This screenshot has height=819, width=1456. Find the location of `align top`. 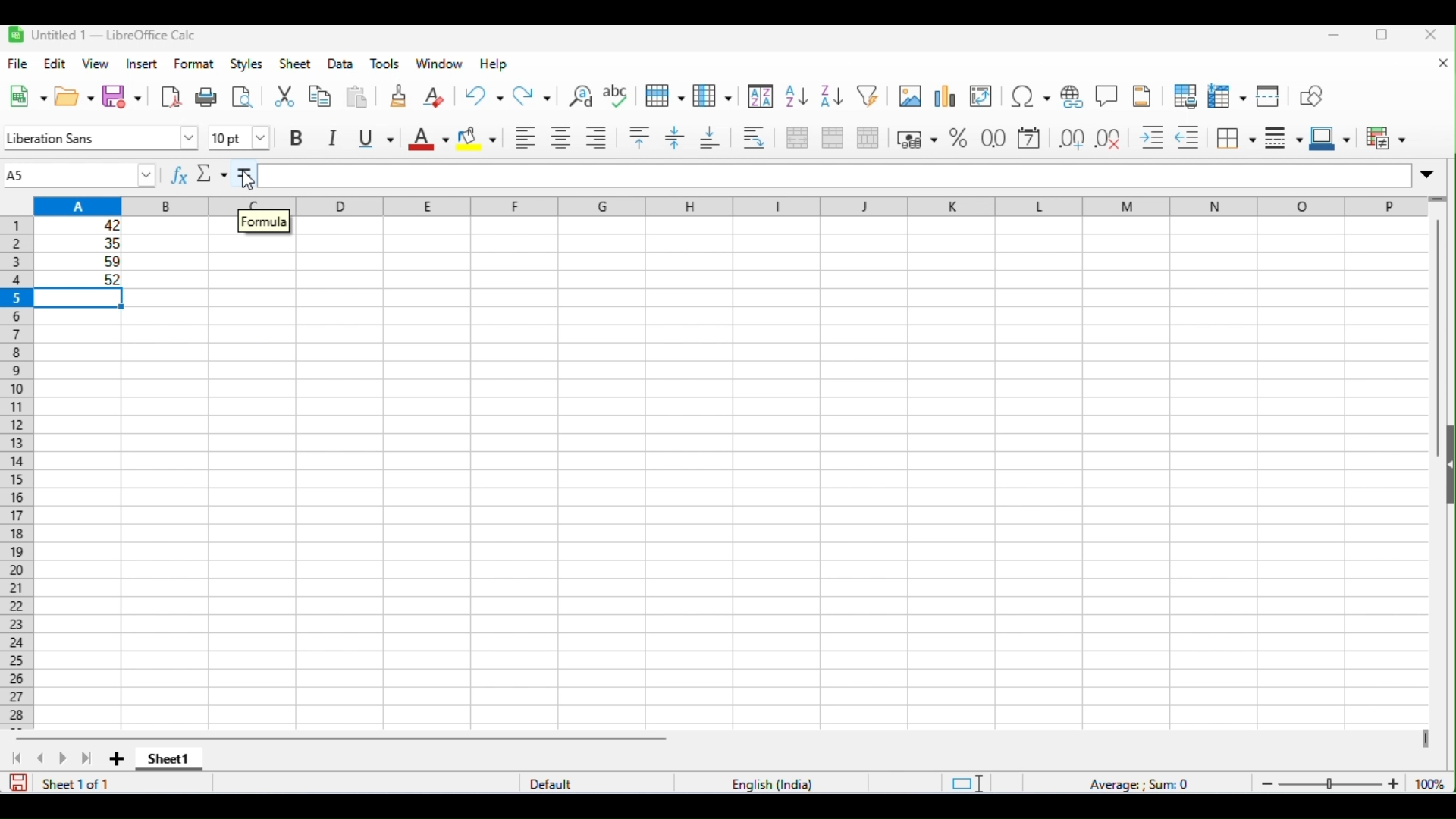

align top is located at coordinates (642, 137).